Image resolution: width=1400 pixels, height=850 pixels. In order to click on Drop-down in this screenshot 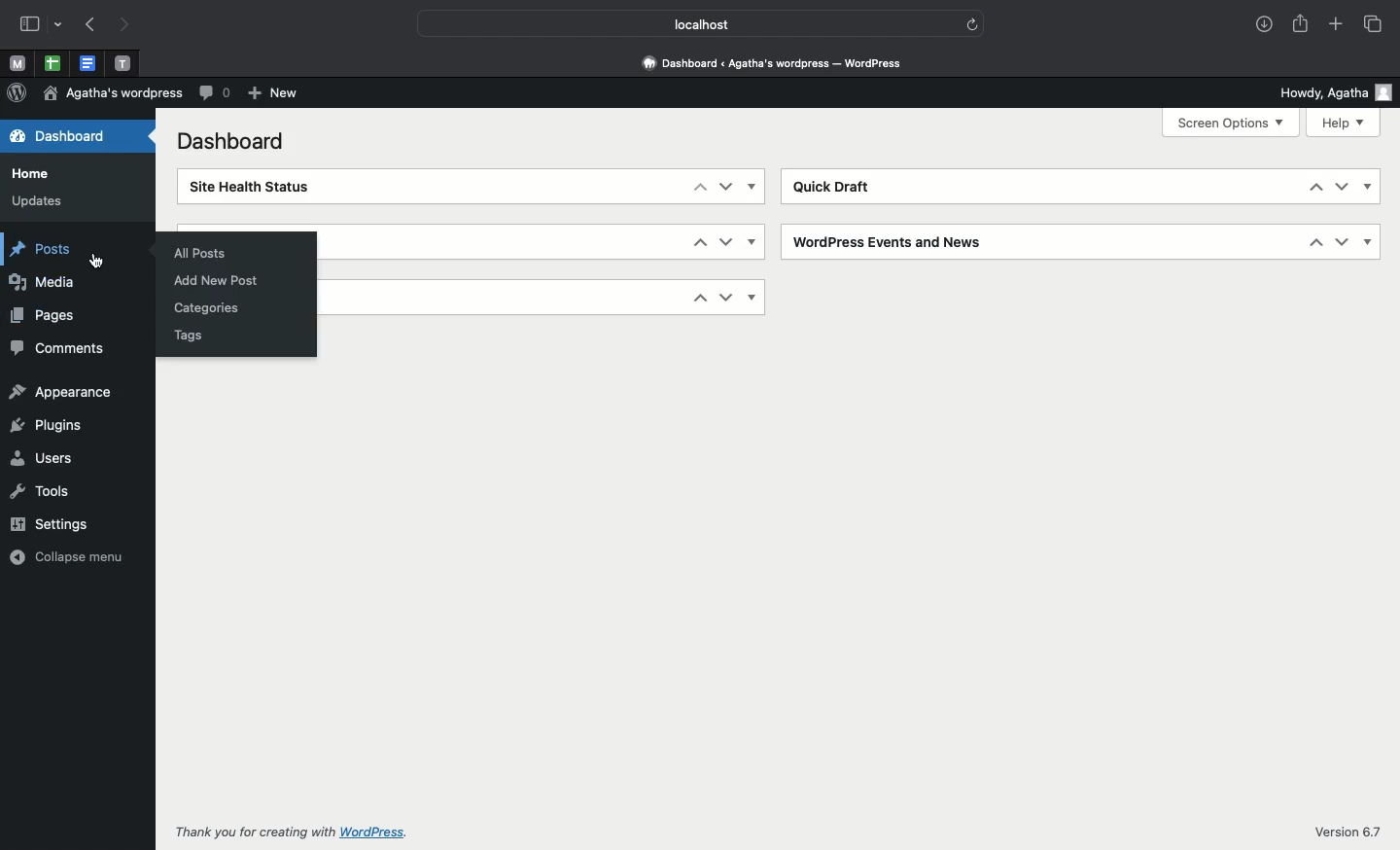, I will do `click(59, 26)`.